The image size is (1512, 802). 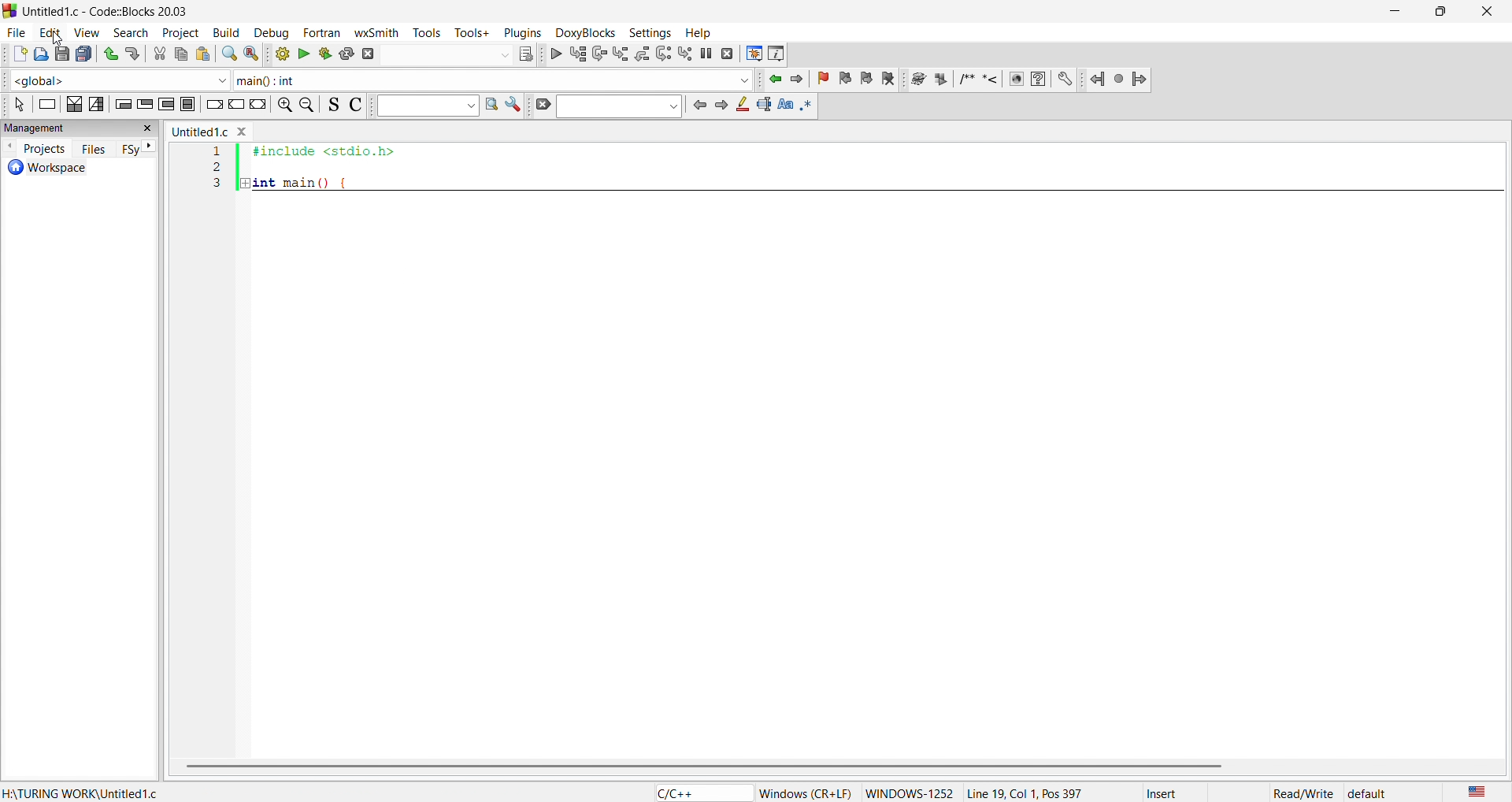 I want to click on highlight, so click(x=740, y=106).